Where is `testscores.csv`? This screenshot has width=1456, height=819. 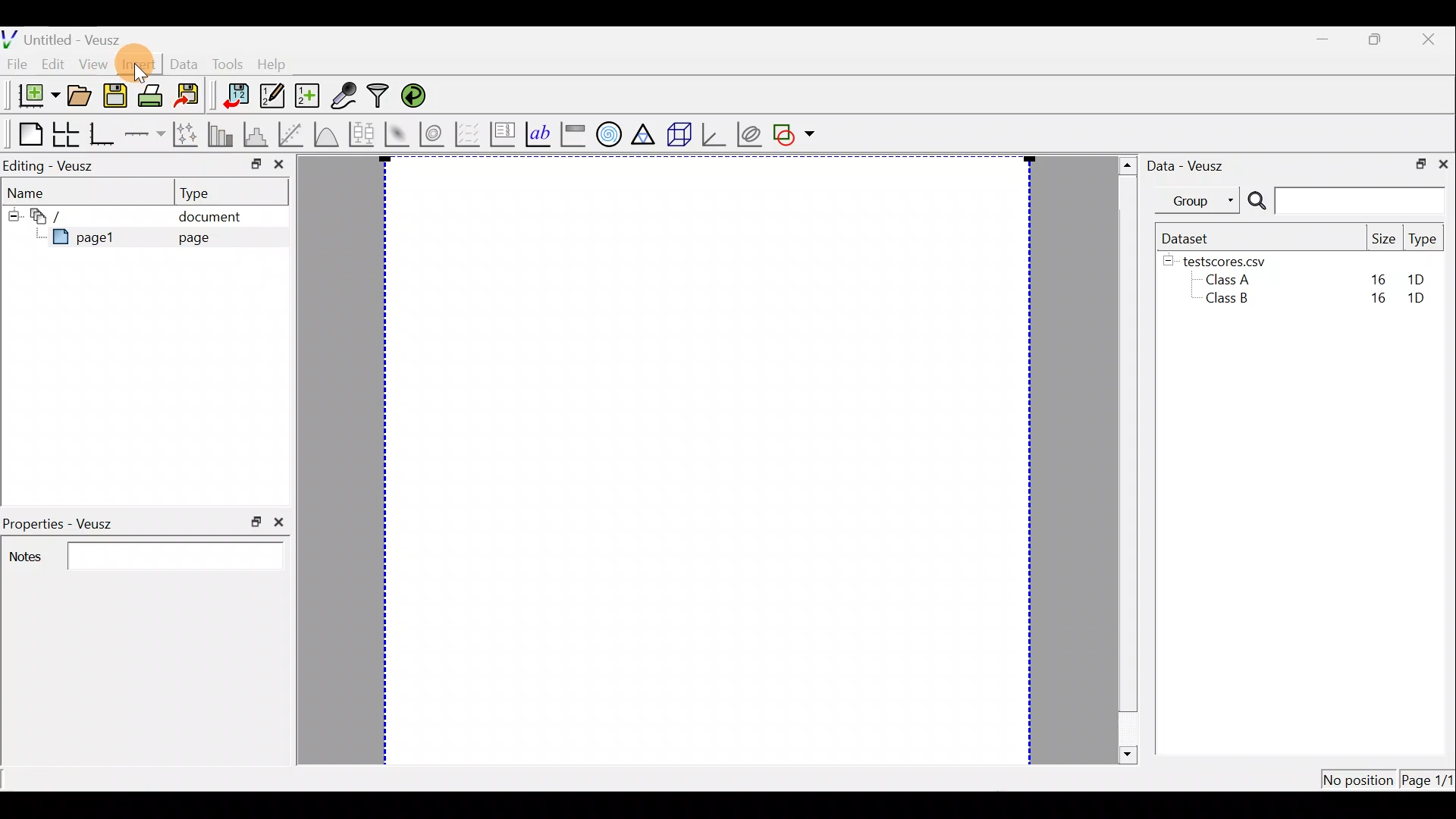 testscores.csv is located at coordinates (1233, 261).